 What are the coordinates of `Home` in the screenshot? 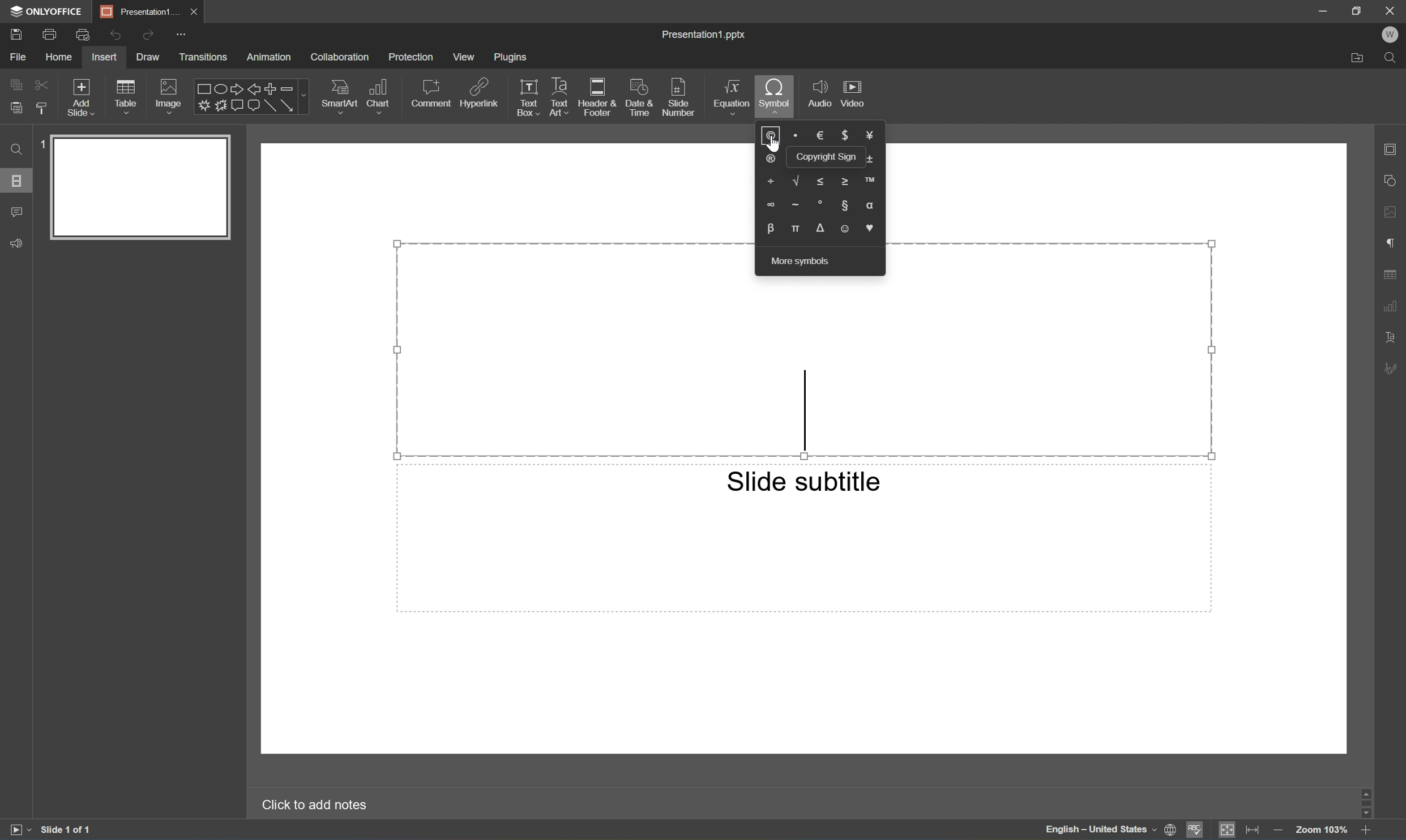 It's located at (59, 56).